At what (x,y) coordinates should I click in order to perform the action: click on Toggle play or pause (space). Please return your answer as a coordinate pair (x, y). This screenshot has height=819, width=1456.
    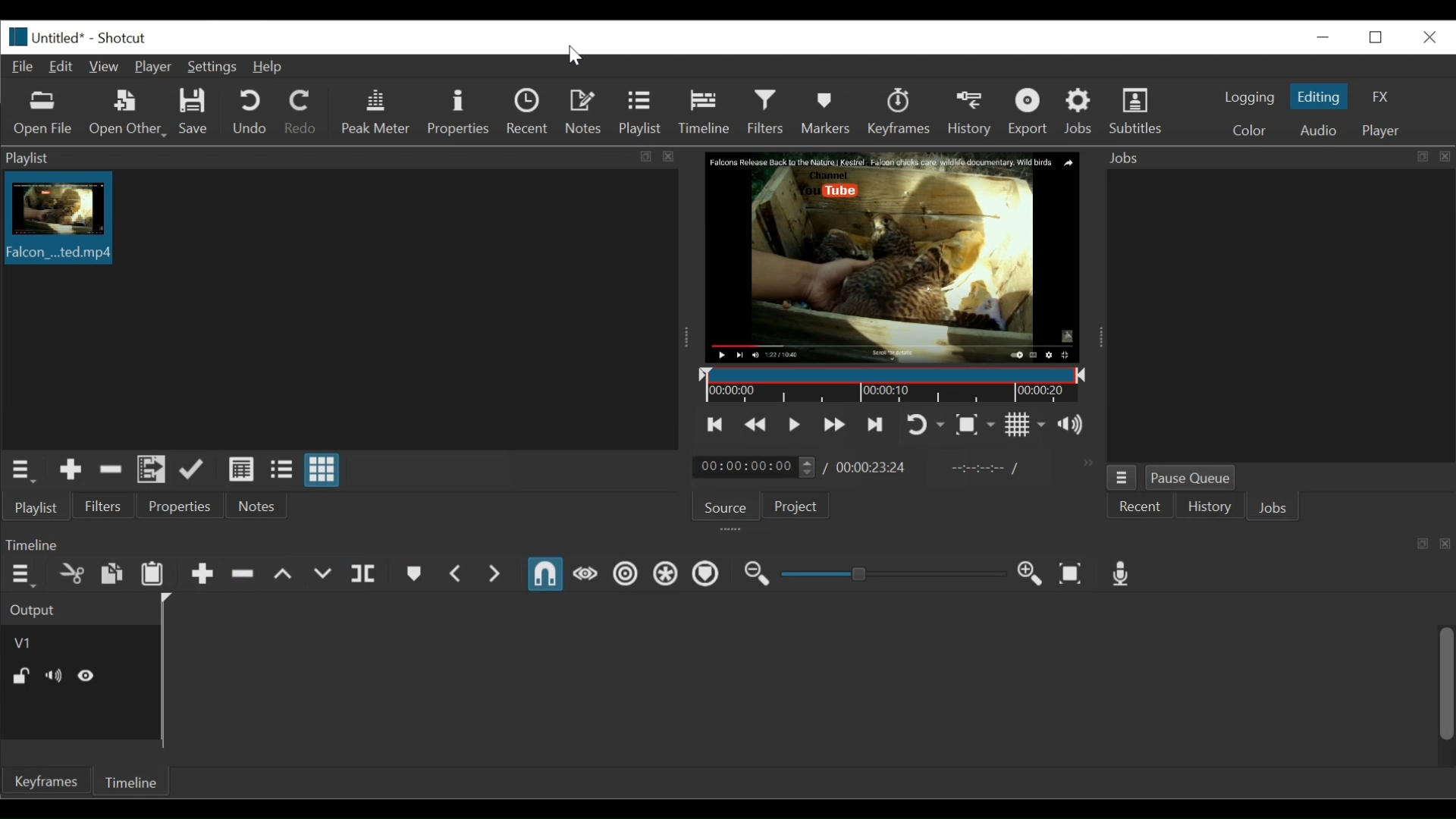
    Looking at the image, I should click on (795, 422).